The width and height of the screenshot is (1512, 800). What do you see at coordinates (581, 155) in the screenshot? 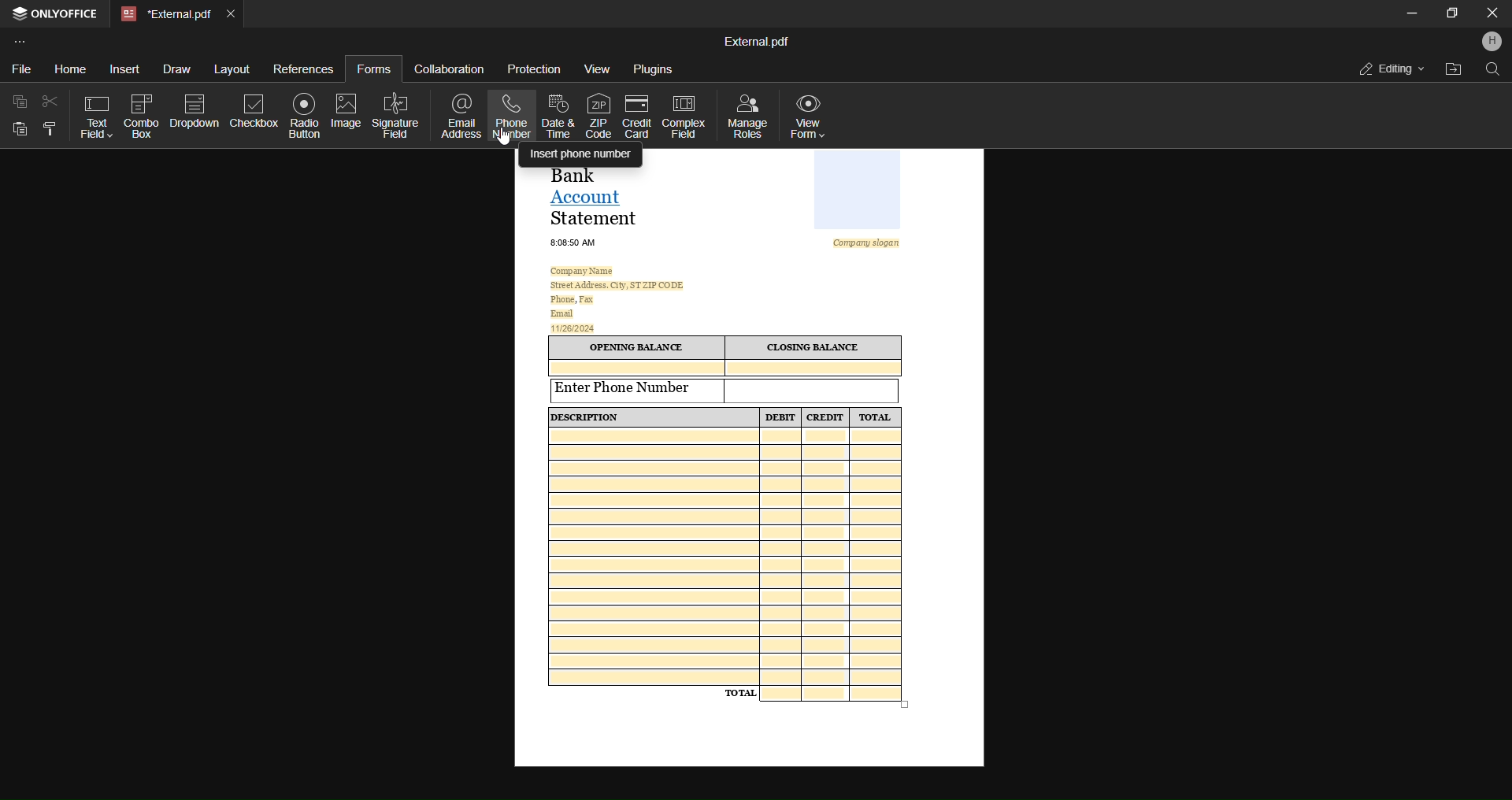
I see `insert phone number` at bounding box center [581, 155].